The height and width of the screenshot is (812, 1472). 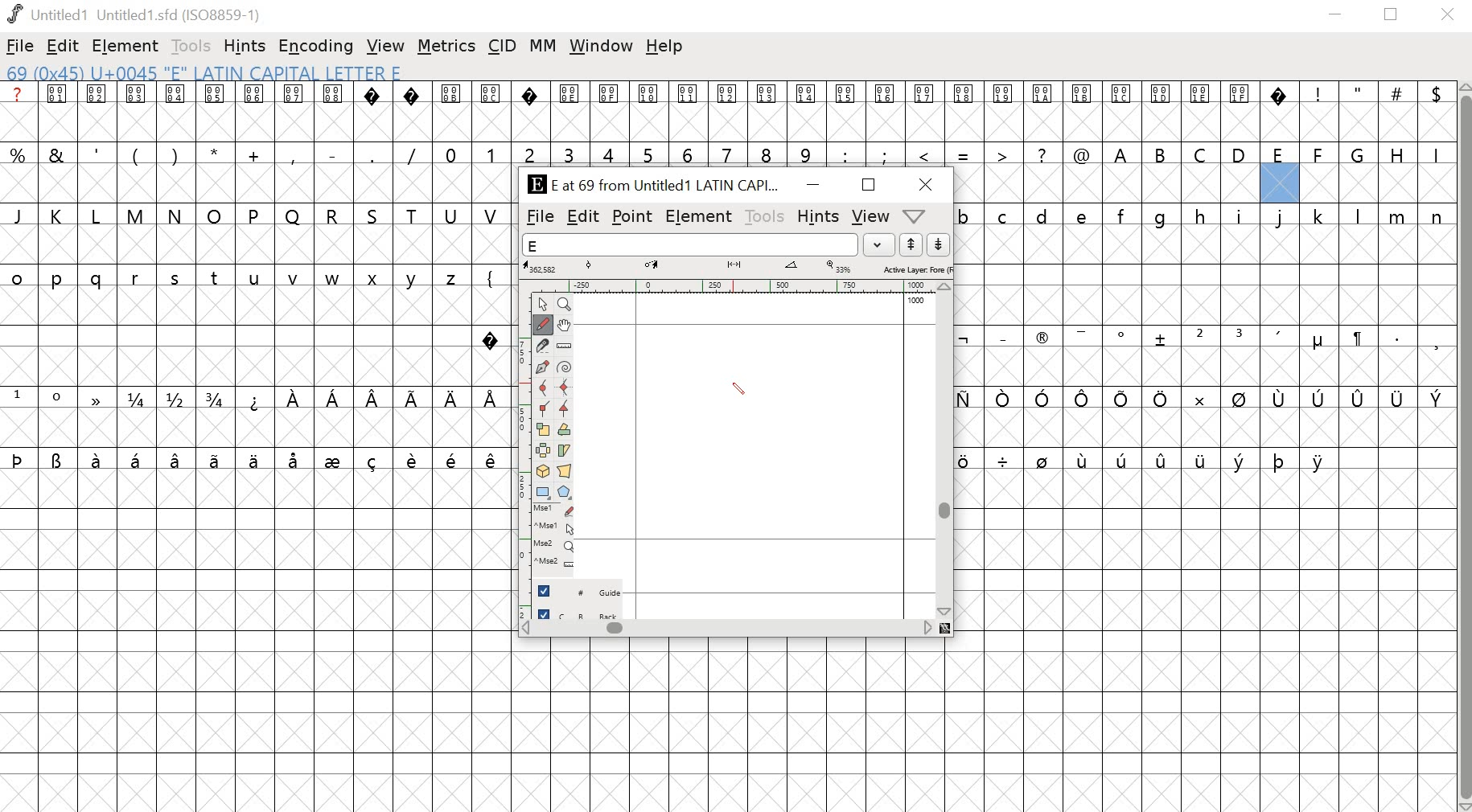 I want to click on guide layer, so click(x=578, y=594).